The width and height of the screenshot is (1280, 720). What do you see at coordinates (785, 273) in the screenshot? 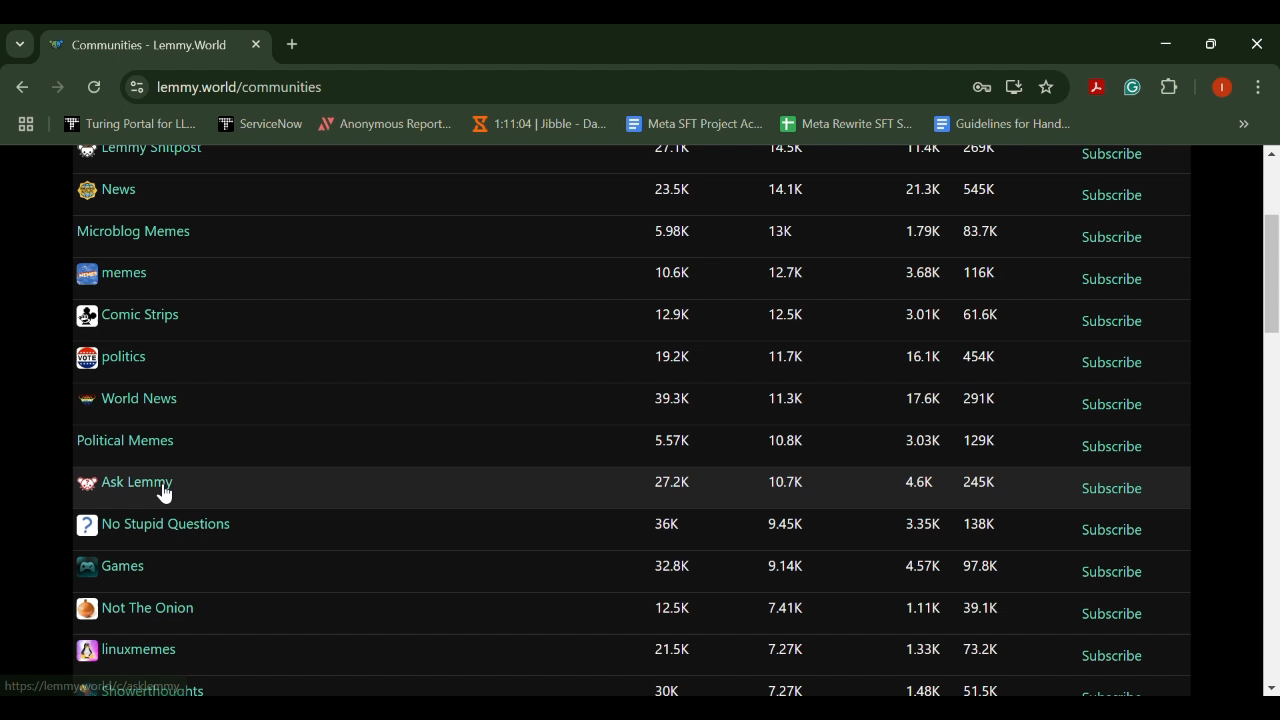
I see `12.7K` at bounding box center [785, 273].